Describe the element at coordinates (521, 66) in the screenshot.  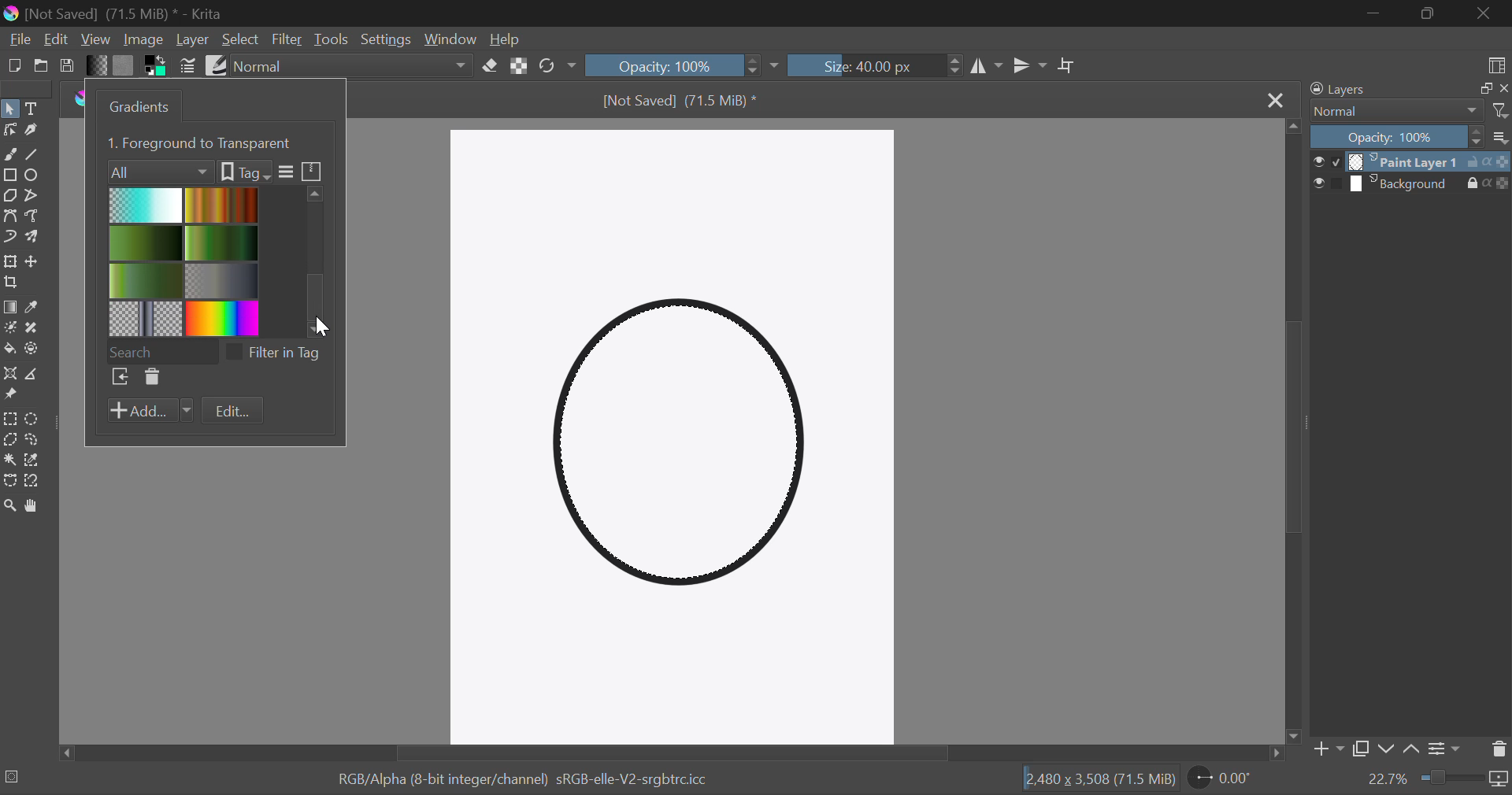
I see `Lock Alpha` at that location.